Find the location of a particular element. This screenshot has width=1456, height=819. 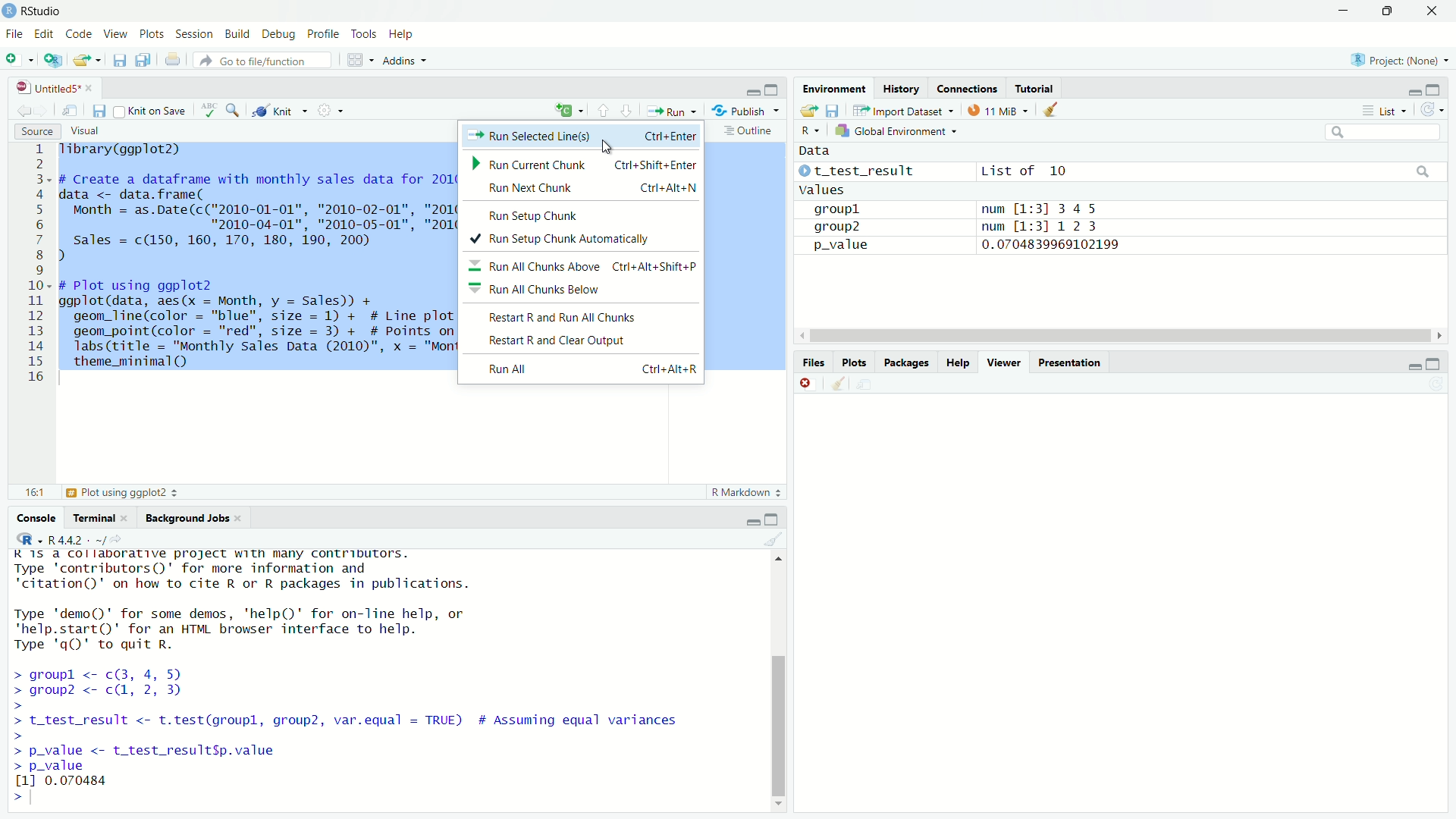

save is located at coordinates (99, 111).